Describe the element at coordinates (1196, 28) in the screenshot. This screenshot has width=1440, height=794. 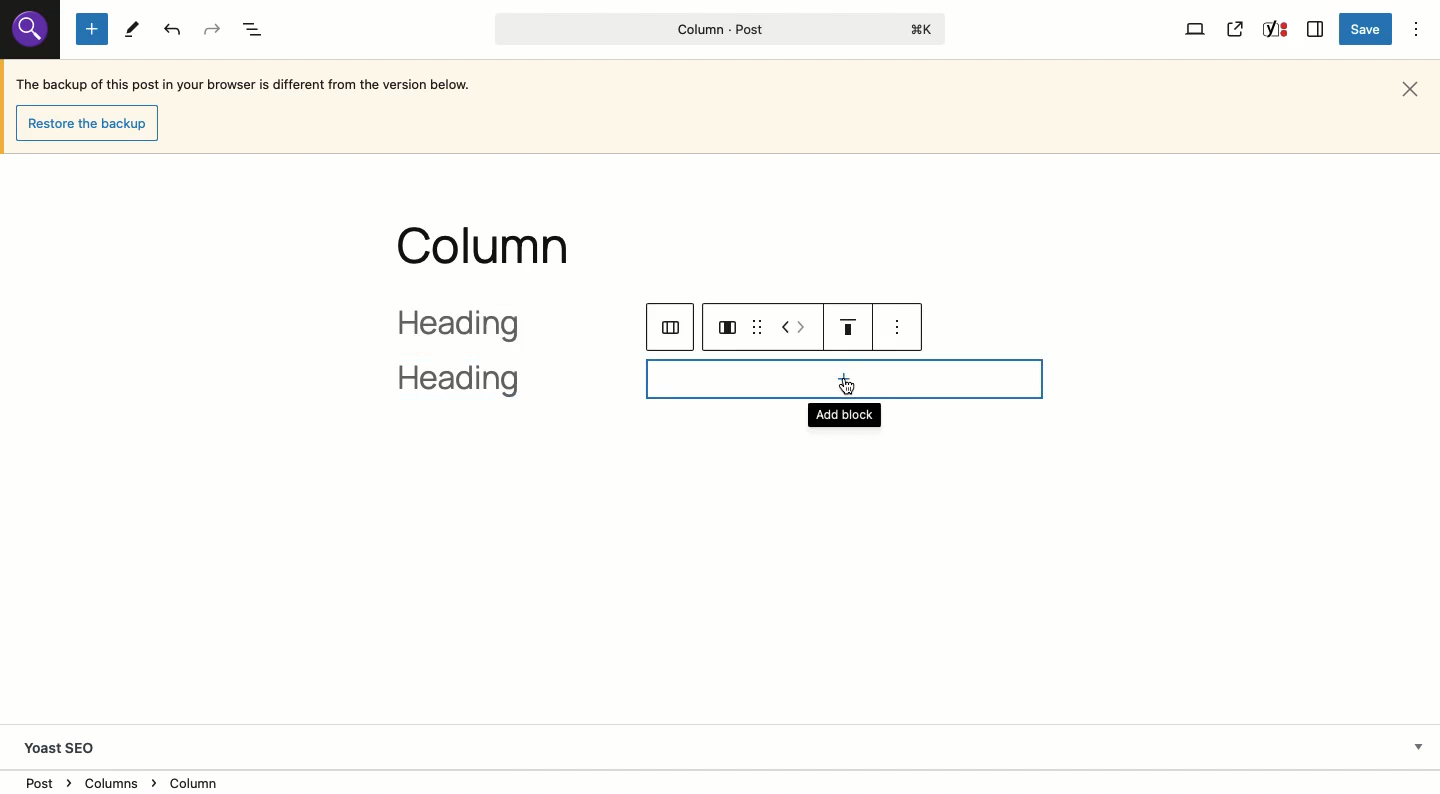
I see `View` at that location.